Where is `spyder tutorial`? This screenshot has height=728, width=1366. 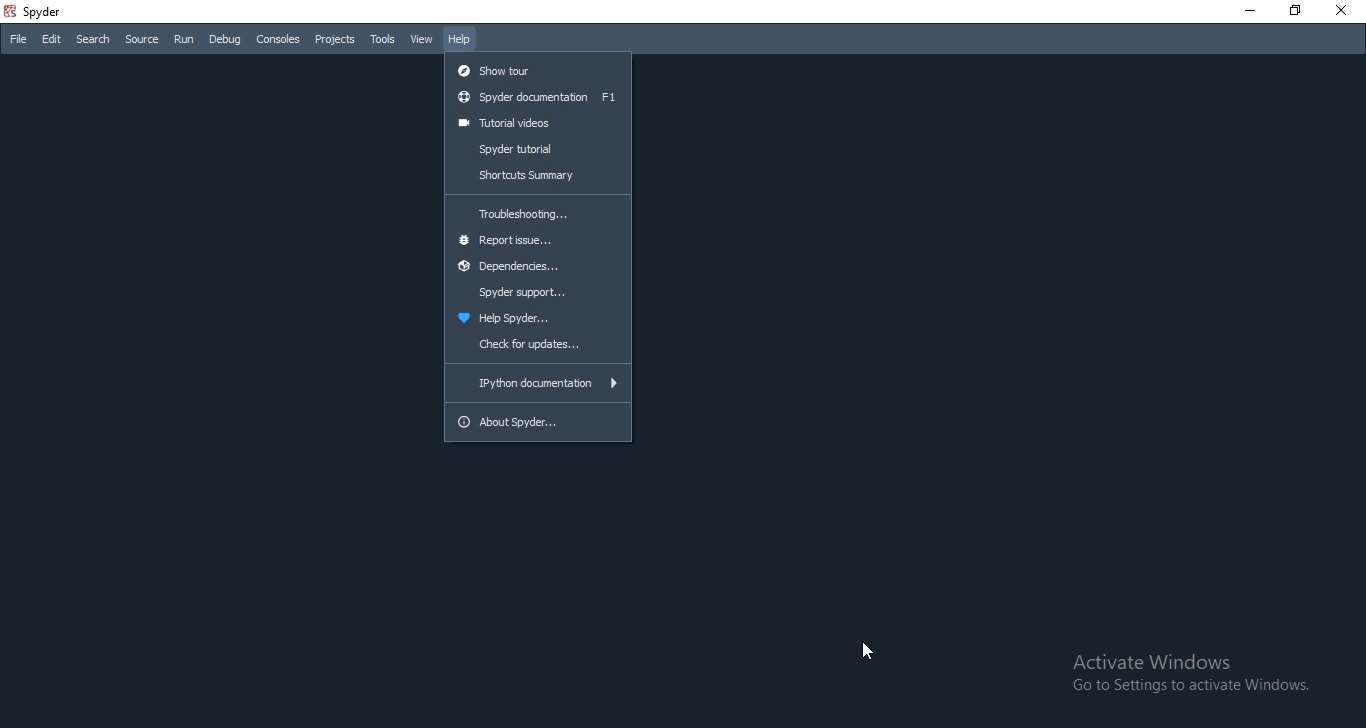 spyder tutorial is located at coordinates (538, 149).